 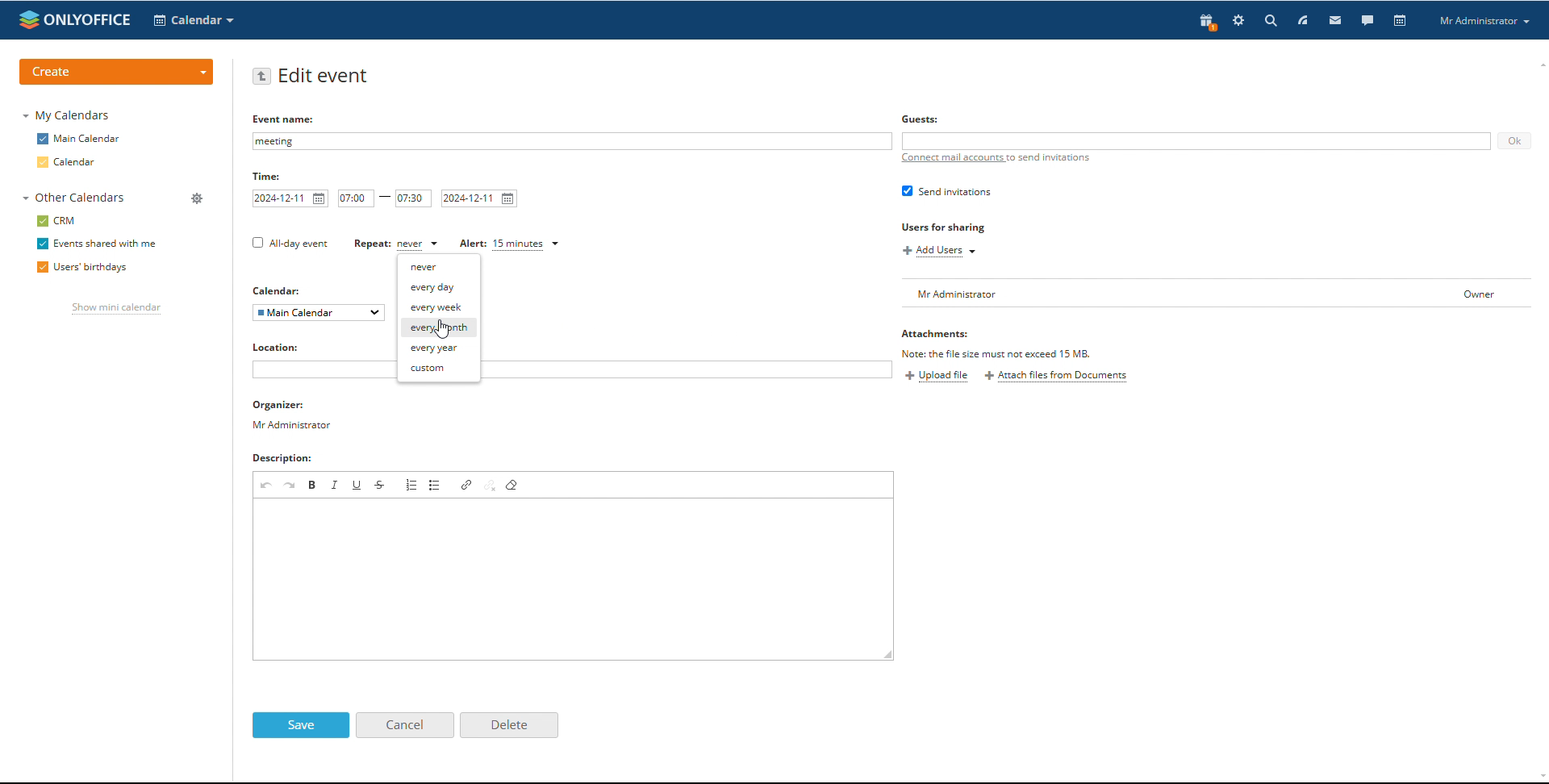 What do you see at coordinates (1196, 141) in the screenshot?
I see `add guests` at bounding box center [1196, 141].